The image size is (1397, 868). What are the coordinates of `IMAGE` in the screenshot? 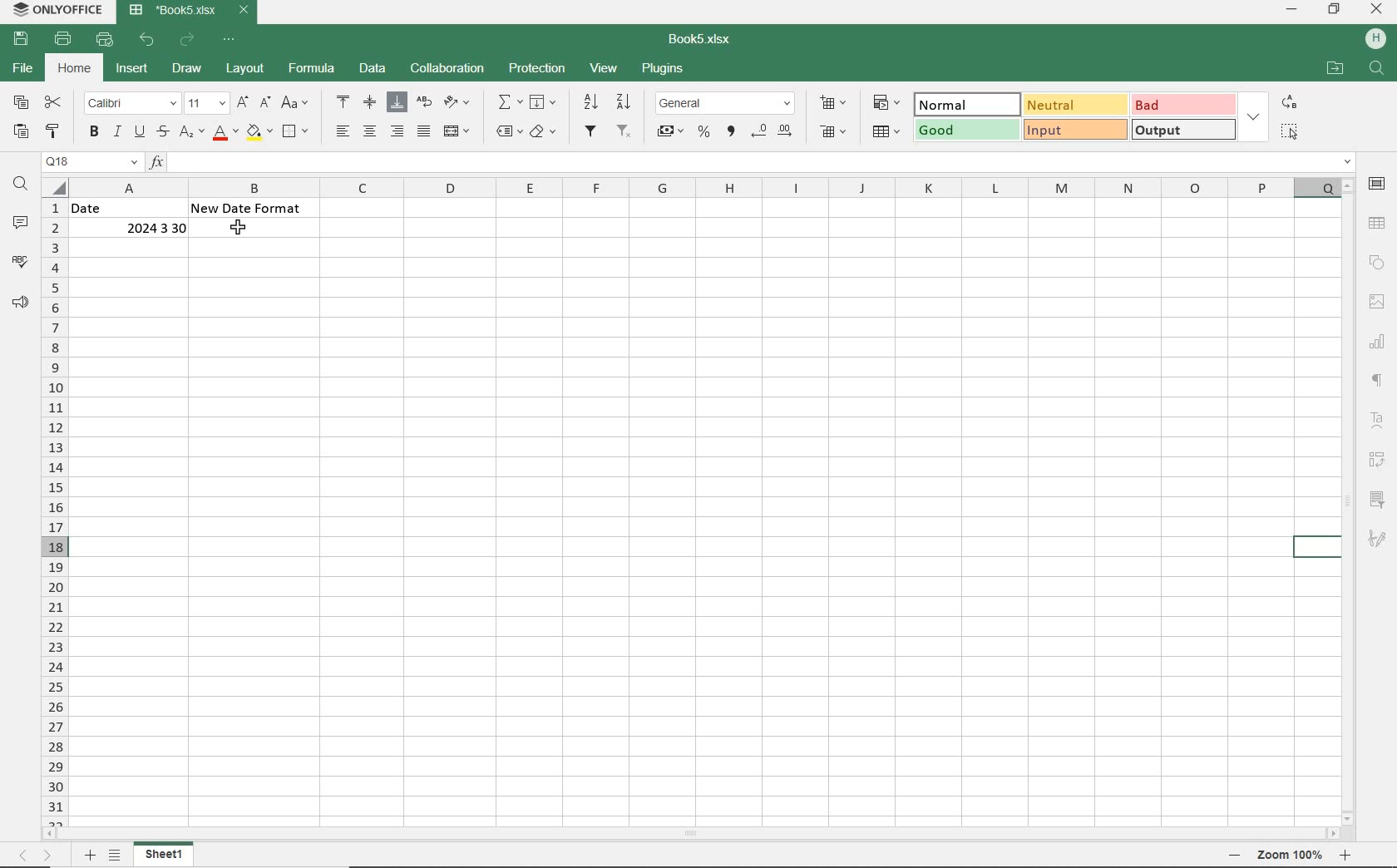 It's located at (1377, 302).